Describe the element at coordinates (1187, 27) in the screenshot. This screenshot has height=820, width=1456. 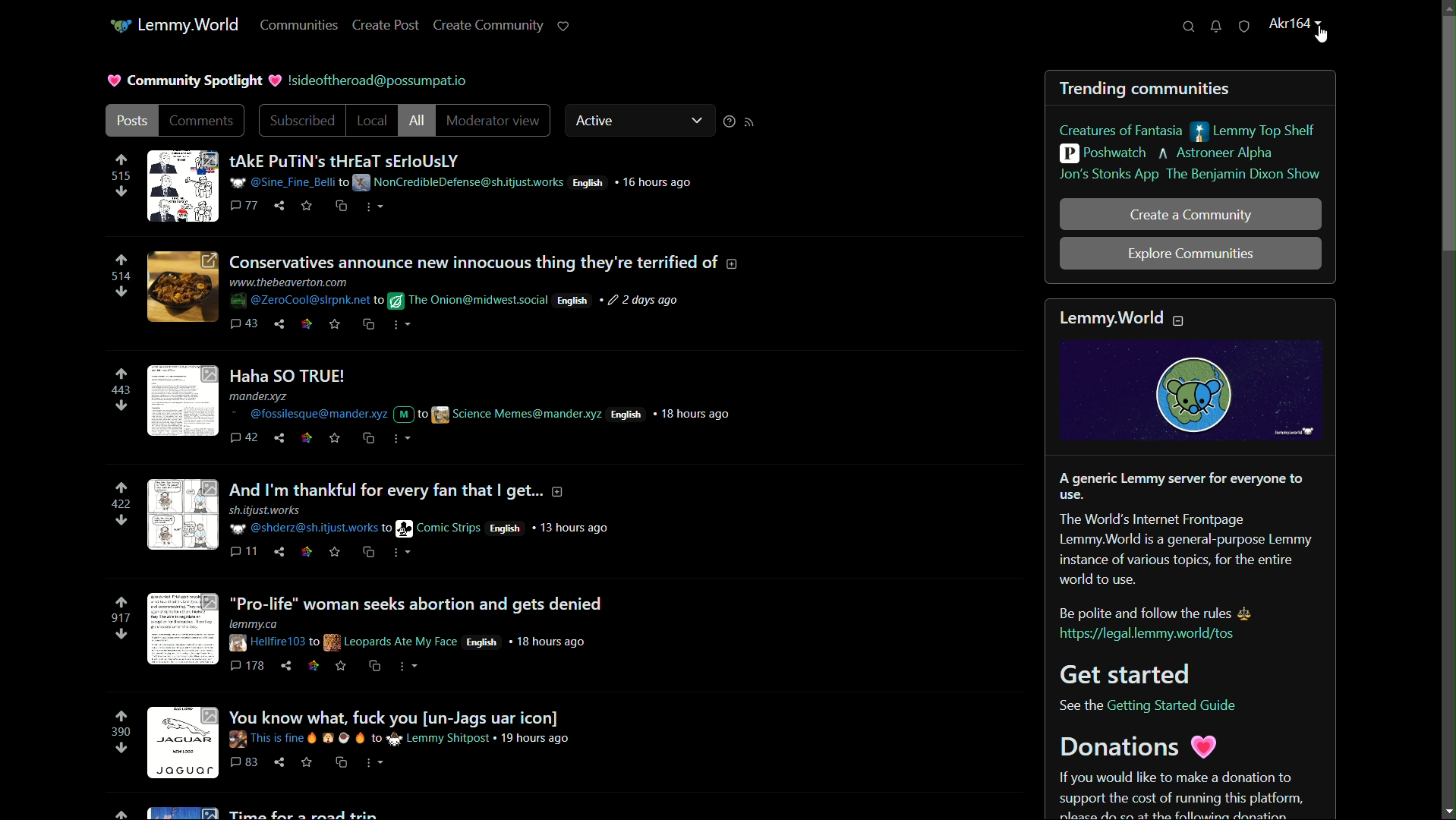
I see `search` at that location.